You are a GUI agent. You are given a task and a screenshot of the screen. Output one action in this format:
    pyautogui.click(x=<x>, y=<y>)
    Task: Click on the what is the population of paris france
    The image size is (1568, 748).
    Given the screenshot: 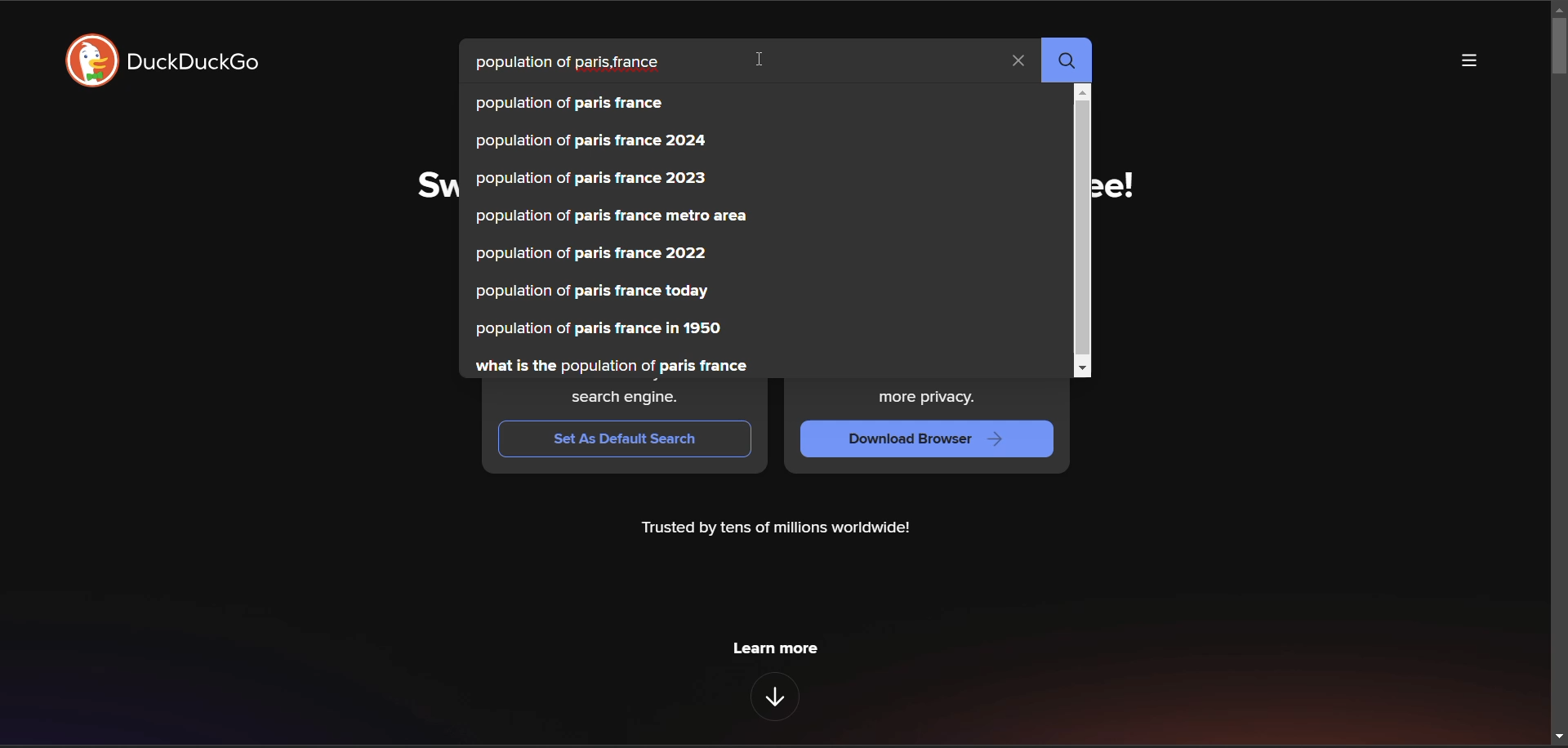 What is the action you would take?
    pyautogui.click(x=614, y=367)
    